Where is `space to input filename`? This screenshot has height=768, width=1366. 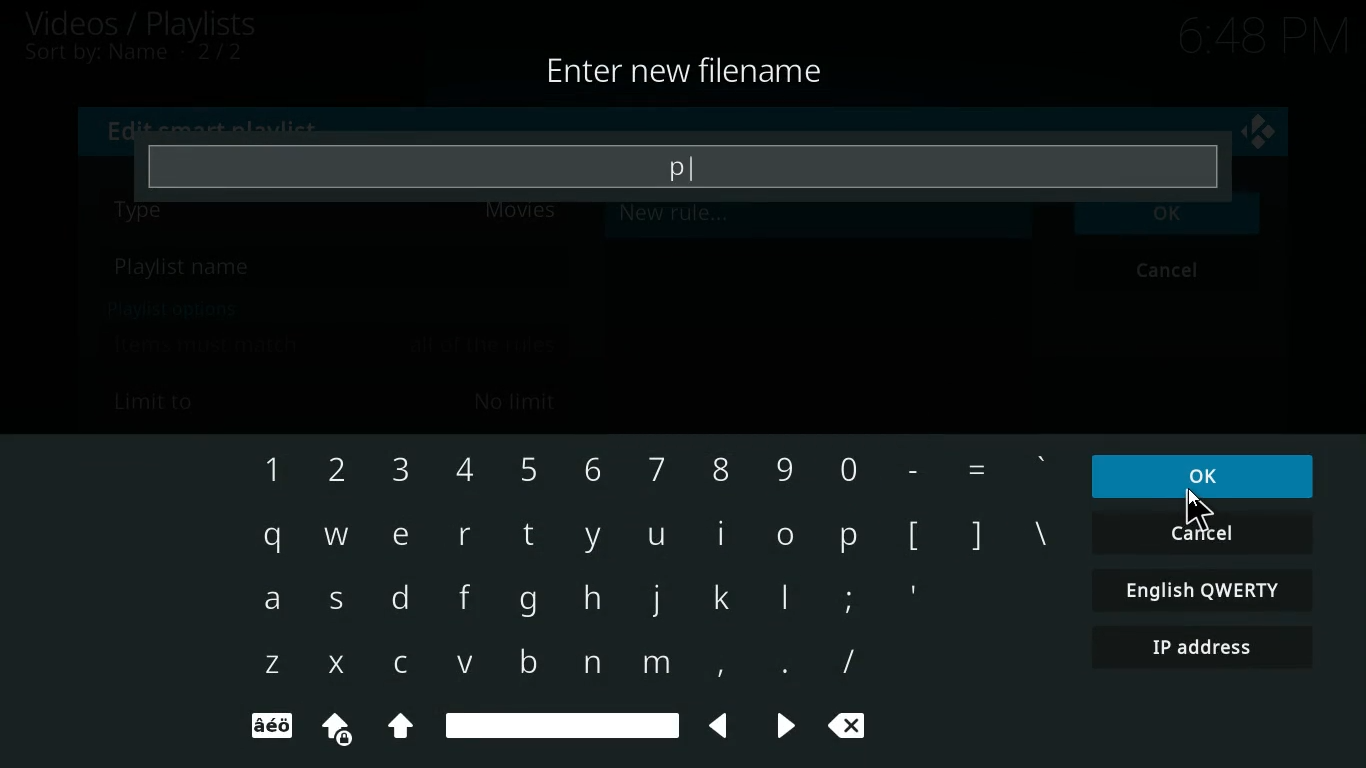
space to input filename is located at coordinates (683, 166).